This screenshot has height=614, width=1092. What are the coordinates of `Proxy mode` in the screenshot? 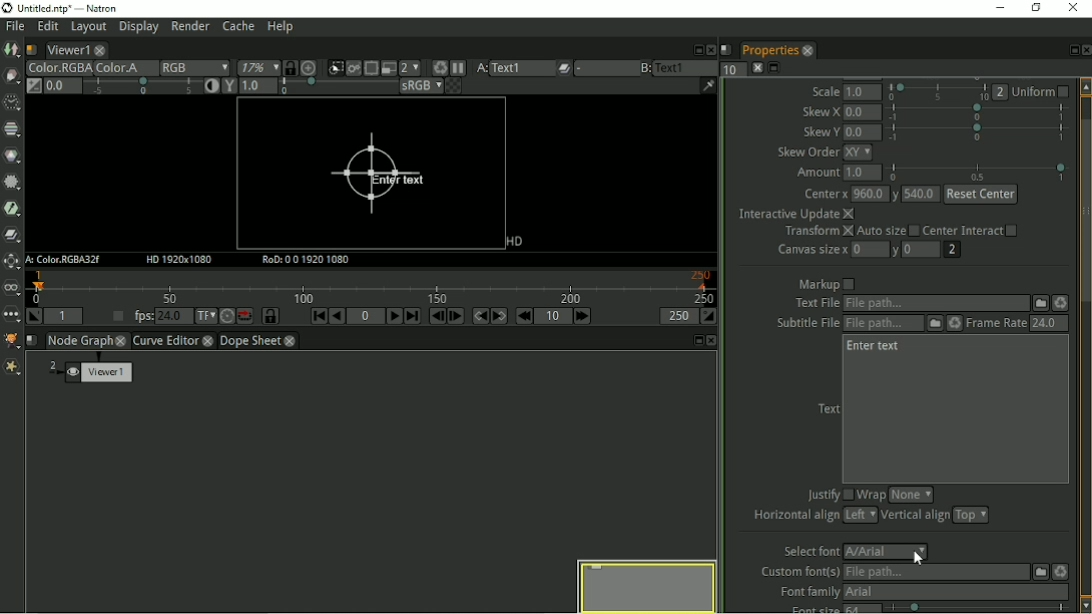 It's located at (387, 69).